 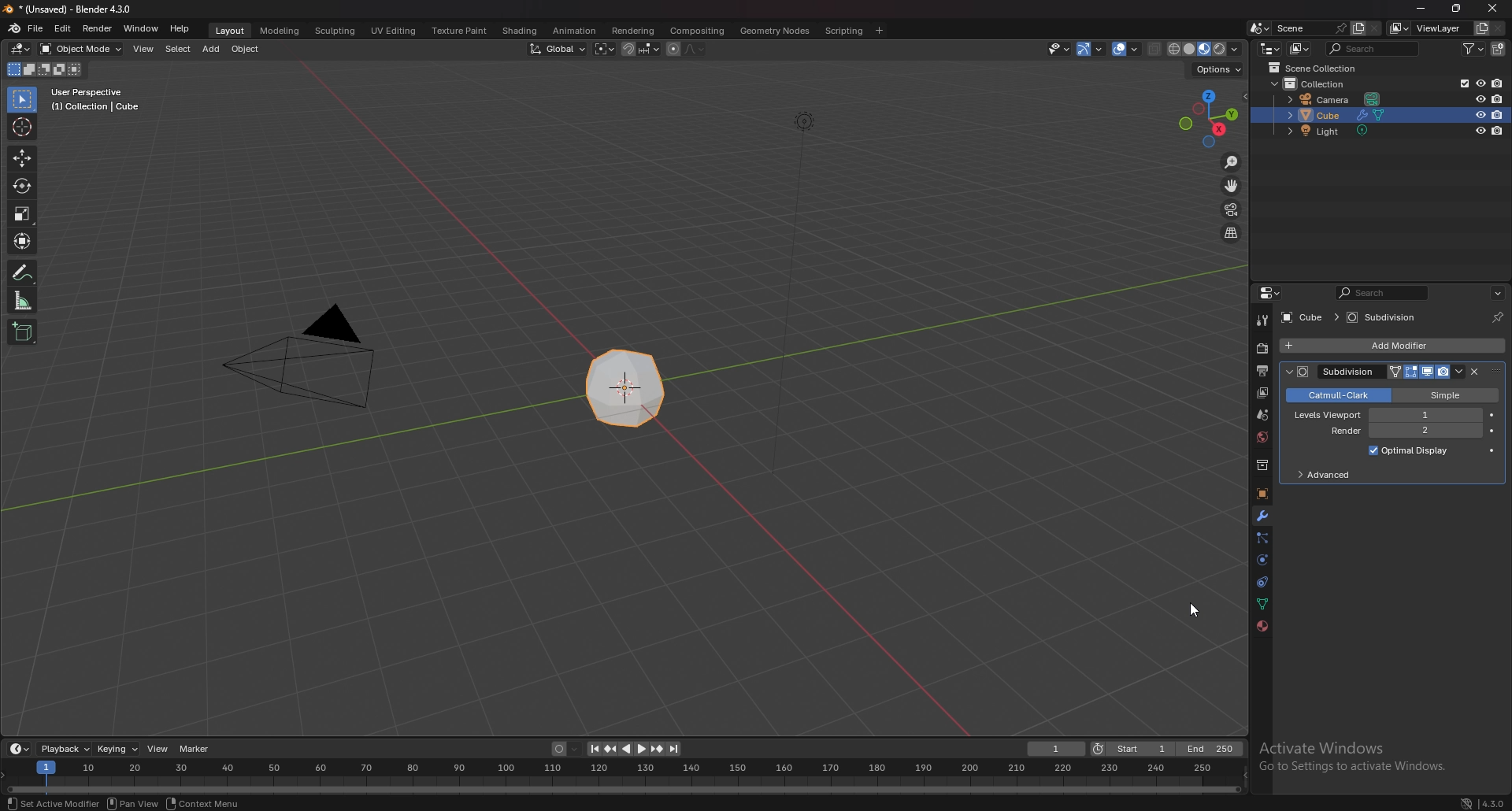 I want to click on advanced, so click(x=1333, y=476).